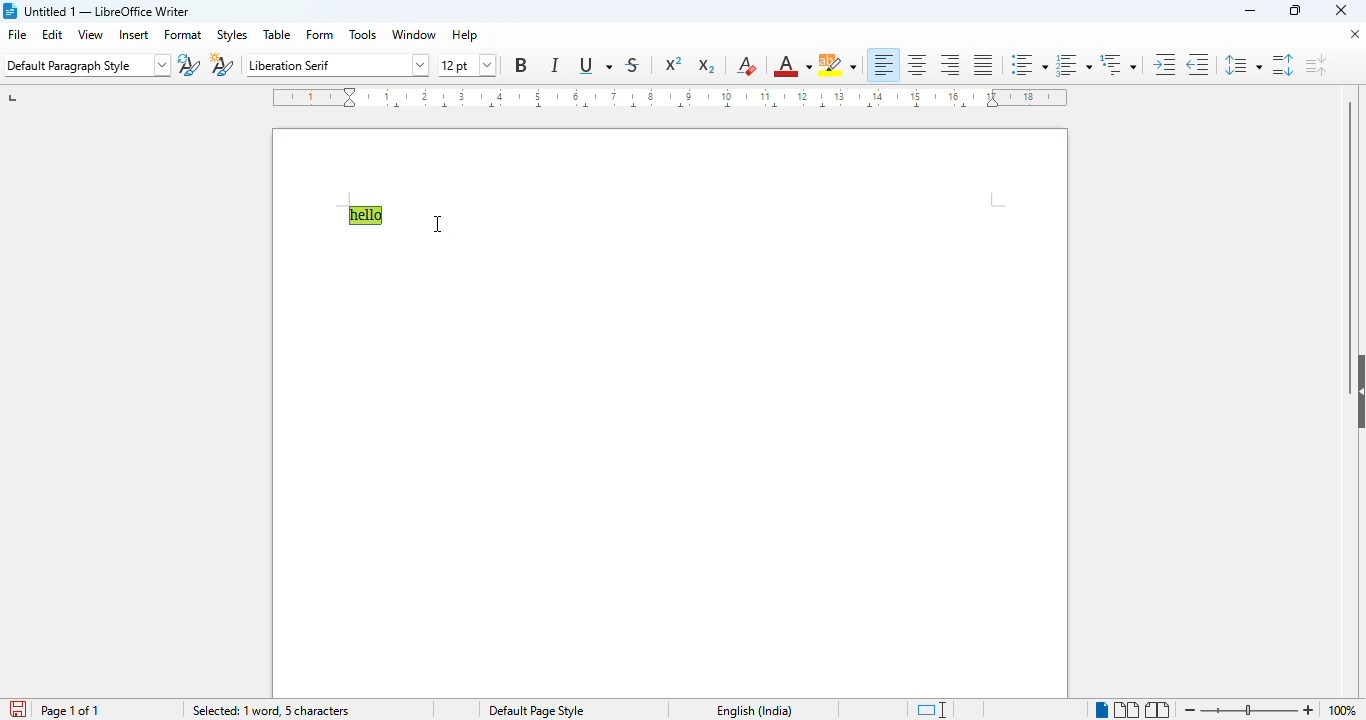 This screenshot has width=1366, height=720. What do you see at coordinates (233, 36) in the screenshot?
I see `styles` at bounding box center [233, 36].